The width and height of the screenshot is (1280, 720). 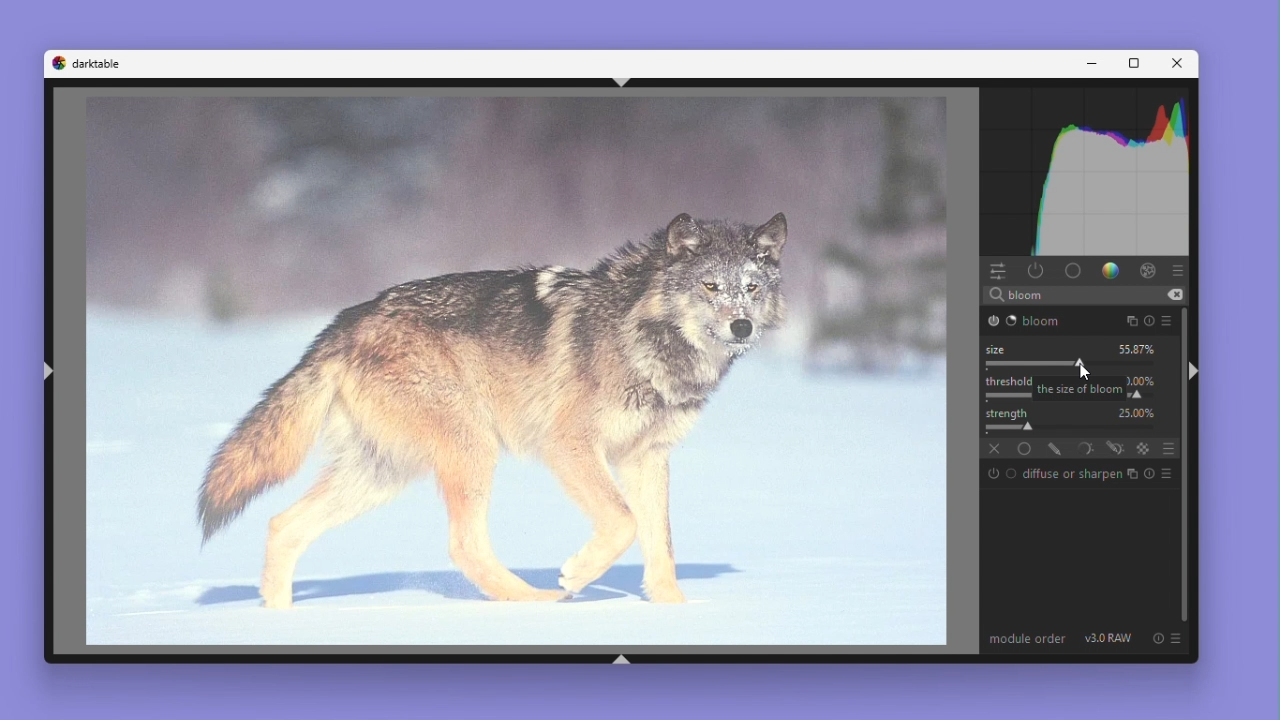 What do you see at coordinates (992, 449) in the screenshot?
I see `Off` at bounding box center [992, 449].